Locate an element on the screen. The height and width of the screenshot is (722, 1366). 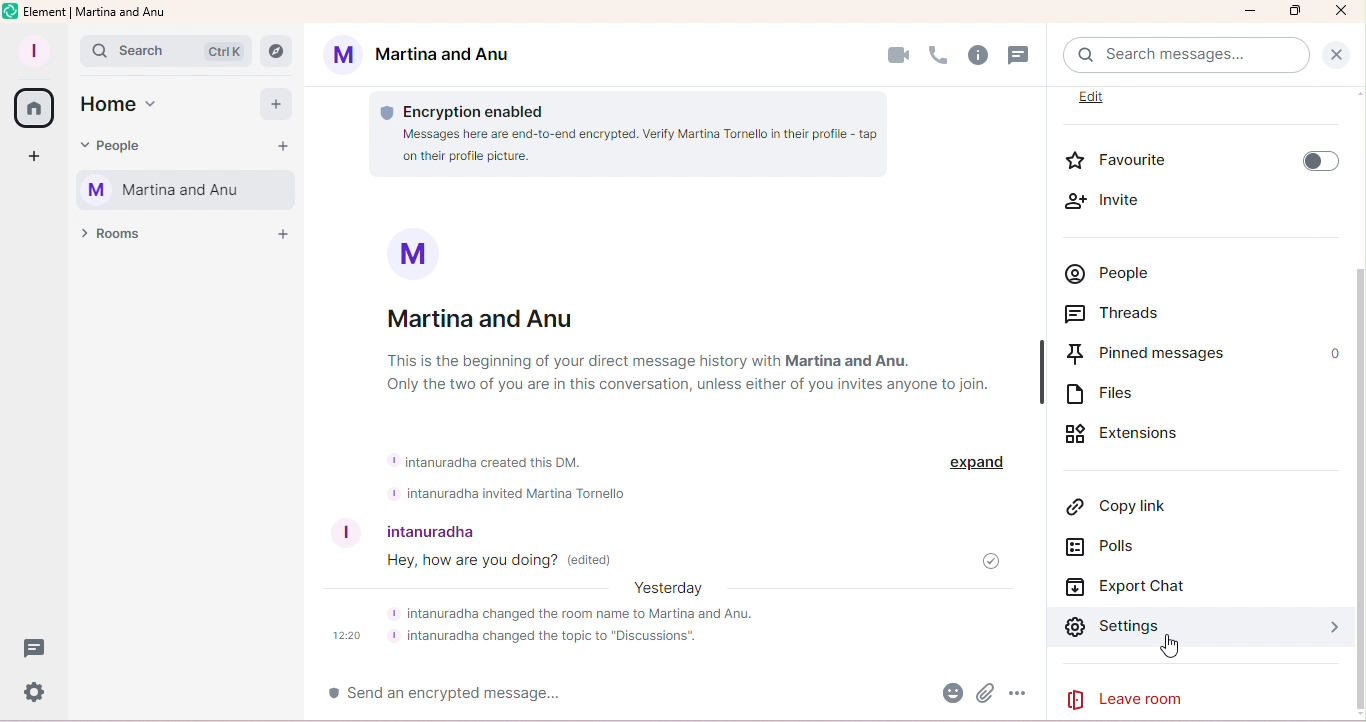
intanuradha created this DM. is located at coordinates (488, 460).